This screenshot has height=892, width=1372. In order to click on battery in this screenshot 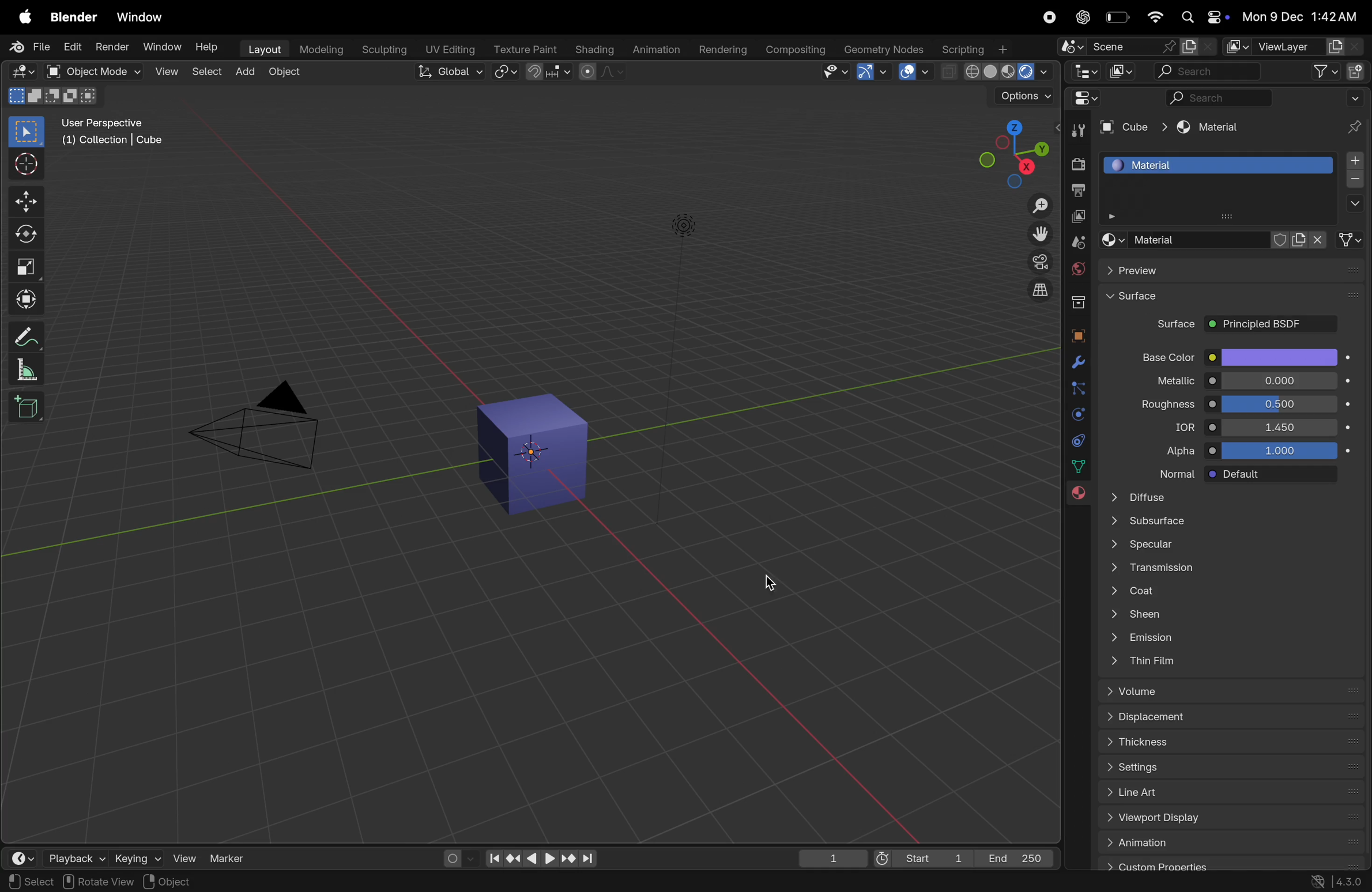, I will do `click(1116, 17)`.